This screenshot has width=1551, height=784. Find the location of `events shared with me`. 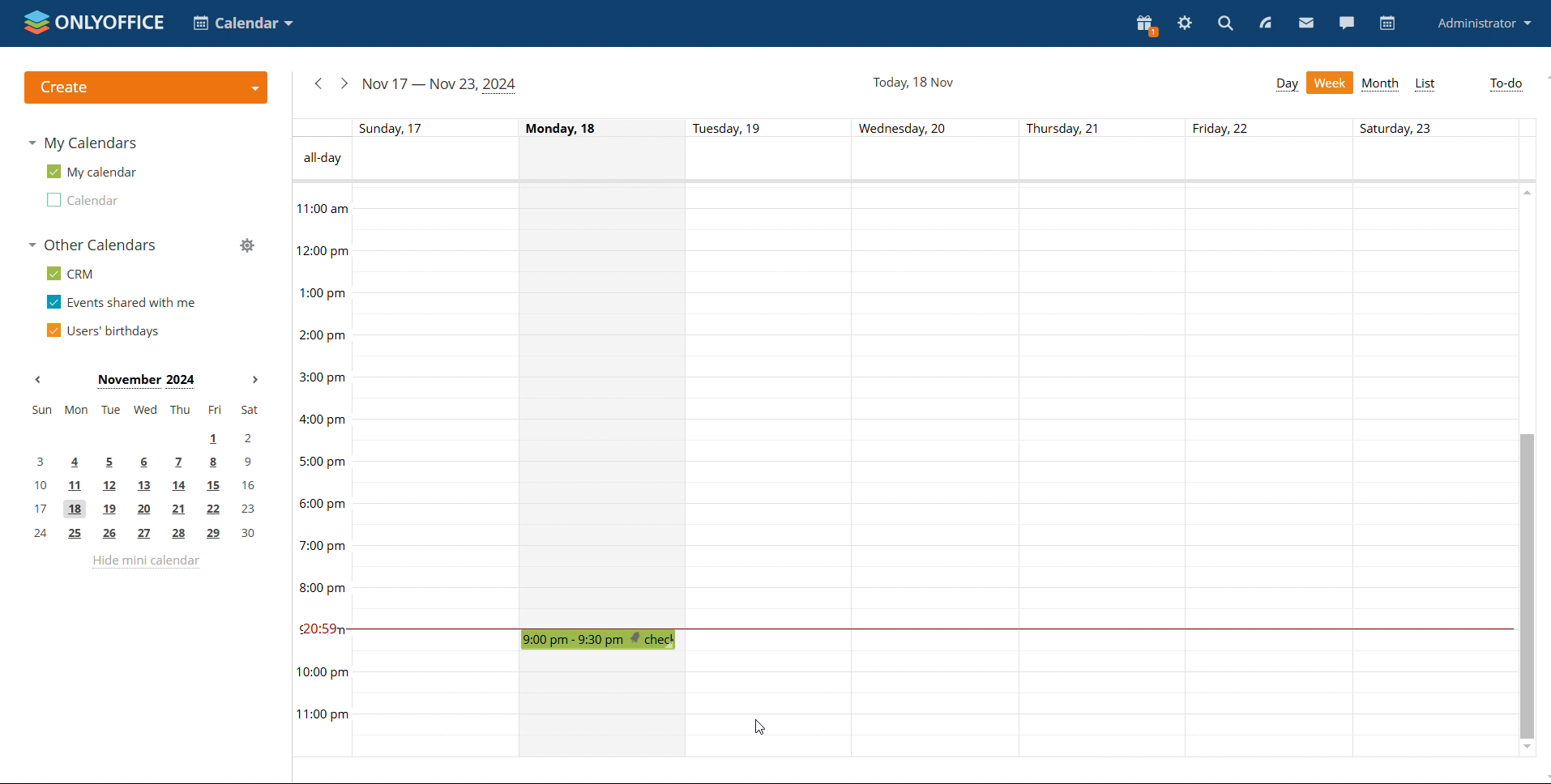

events shared with me is located at coordinates (120, 303).